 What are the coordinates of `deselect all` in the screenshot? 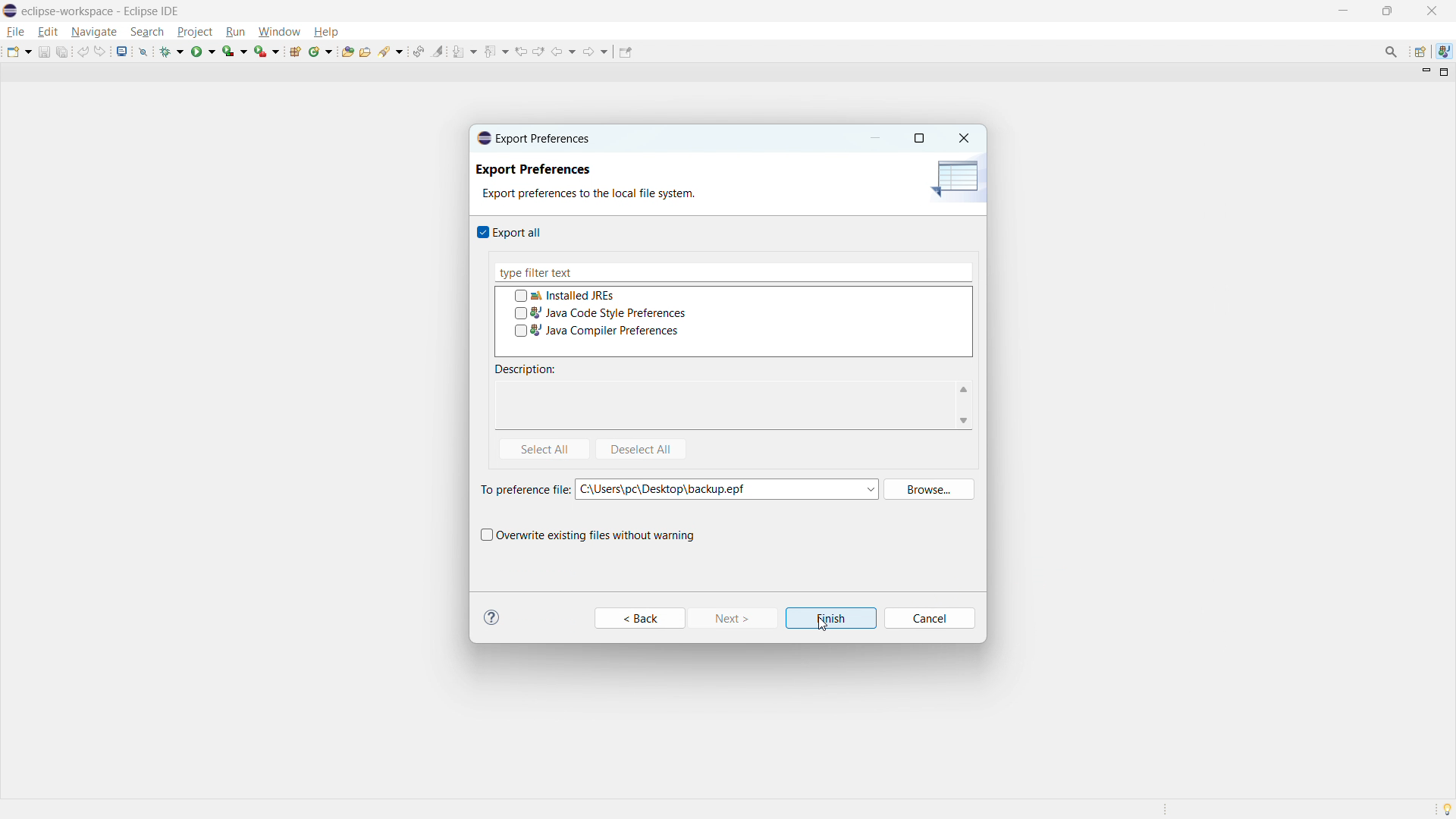 It's located at (639, 449).